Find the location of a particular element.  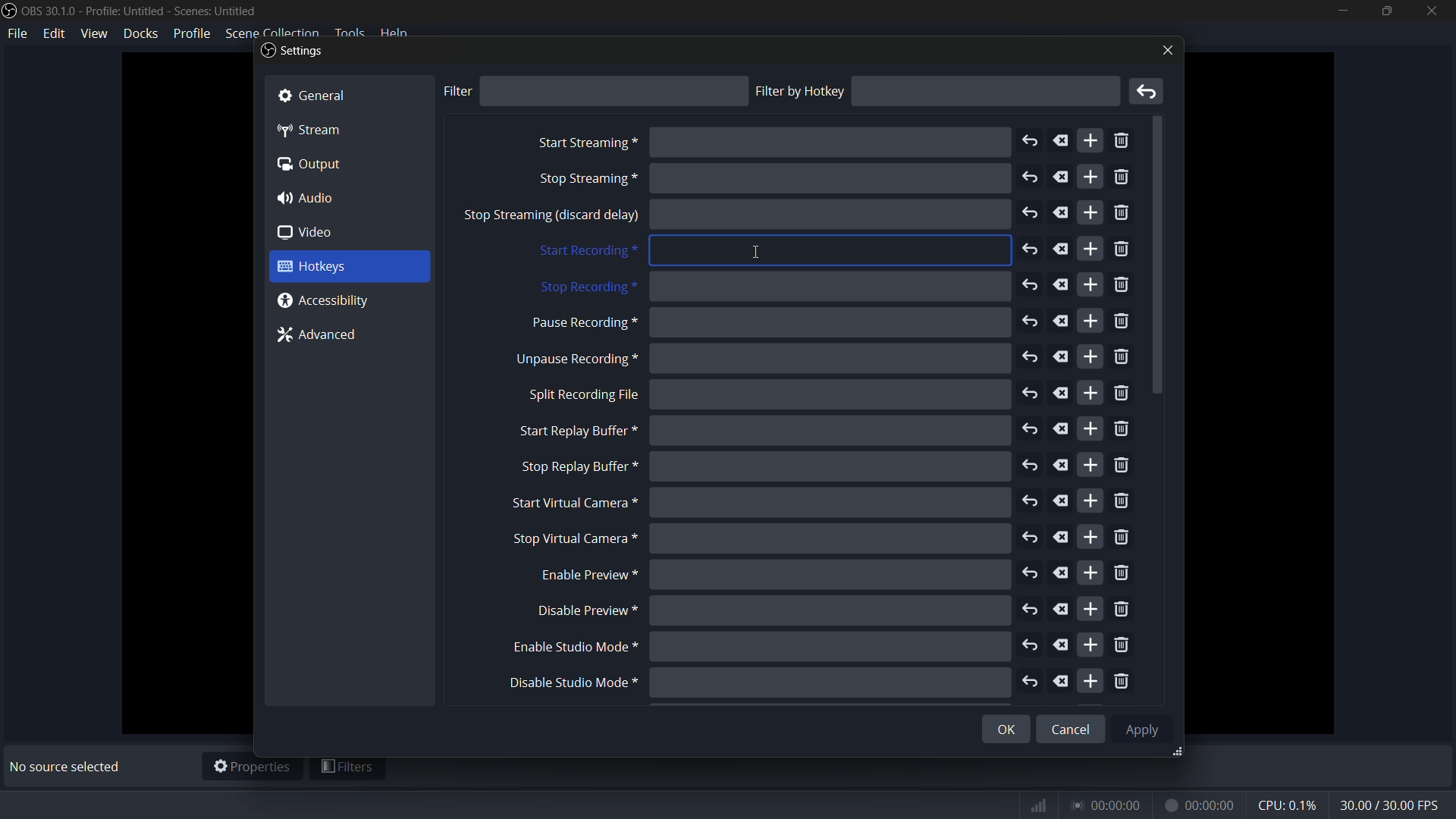

file menu is located at coordinates (18, 34).